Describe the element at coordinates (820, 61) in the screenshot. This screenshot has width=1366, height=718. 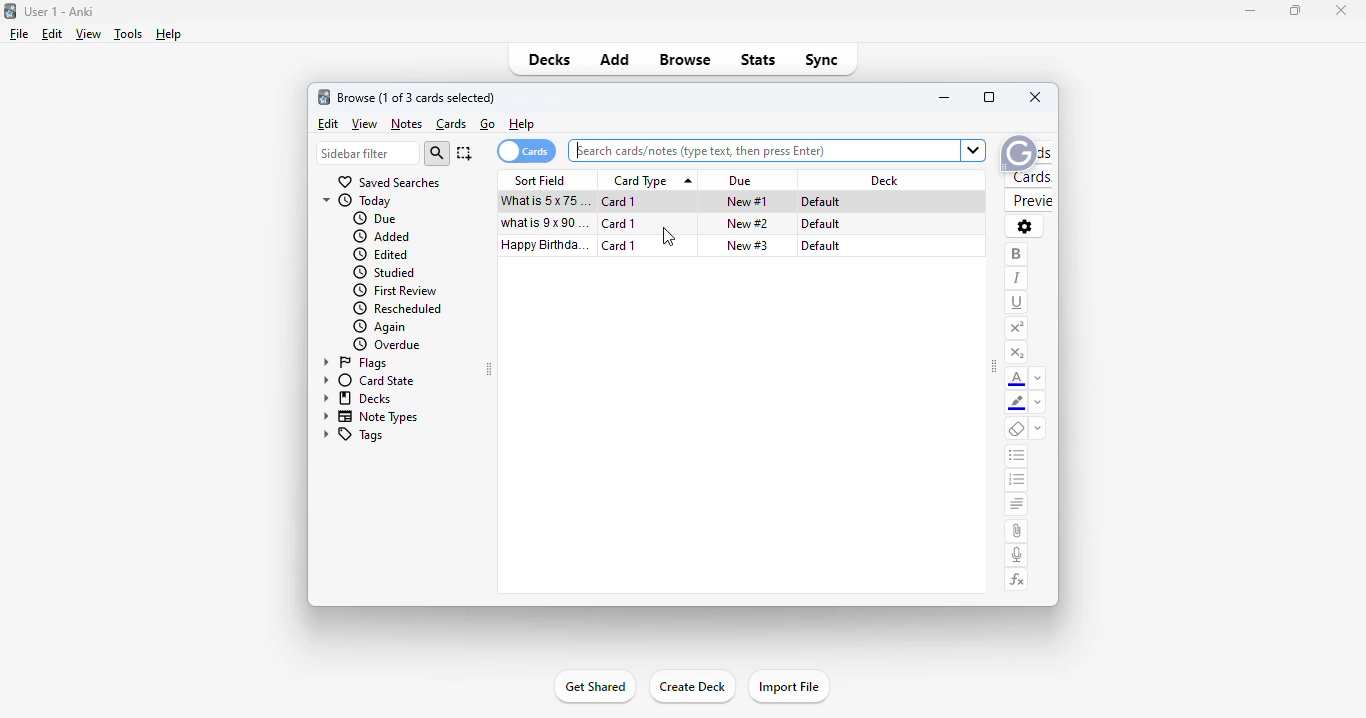
I see `sync` at that location.